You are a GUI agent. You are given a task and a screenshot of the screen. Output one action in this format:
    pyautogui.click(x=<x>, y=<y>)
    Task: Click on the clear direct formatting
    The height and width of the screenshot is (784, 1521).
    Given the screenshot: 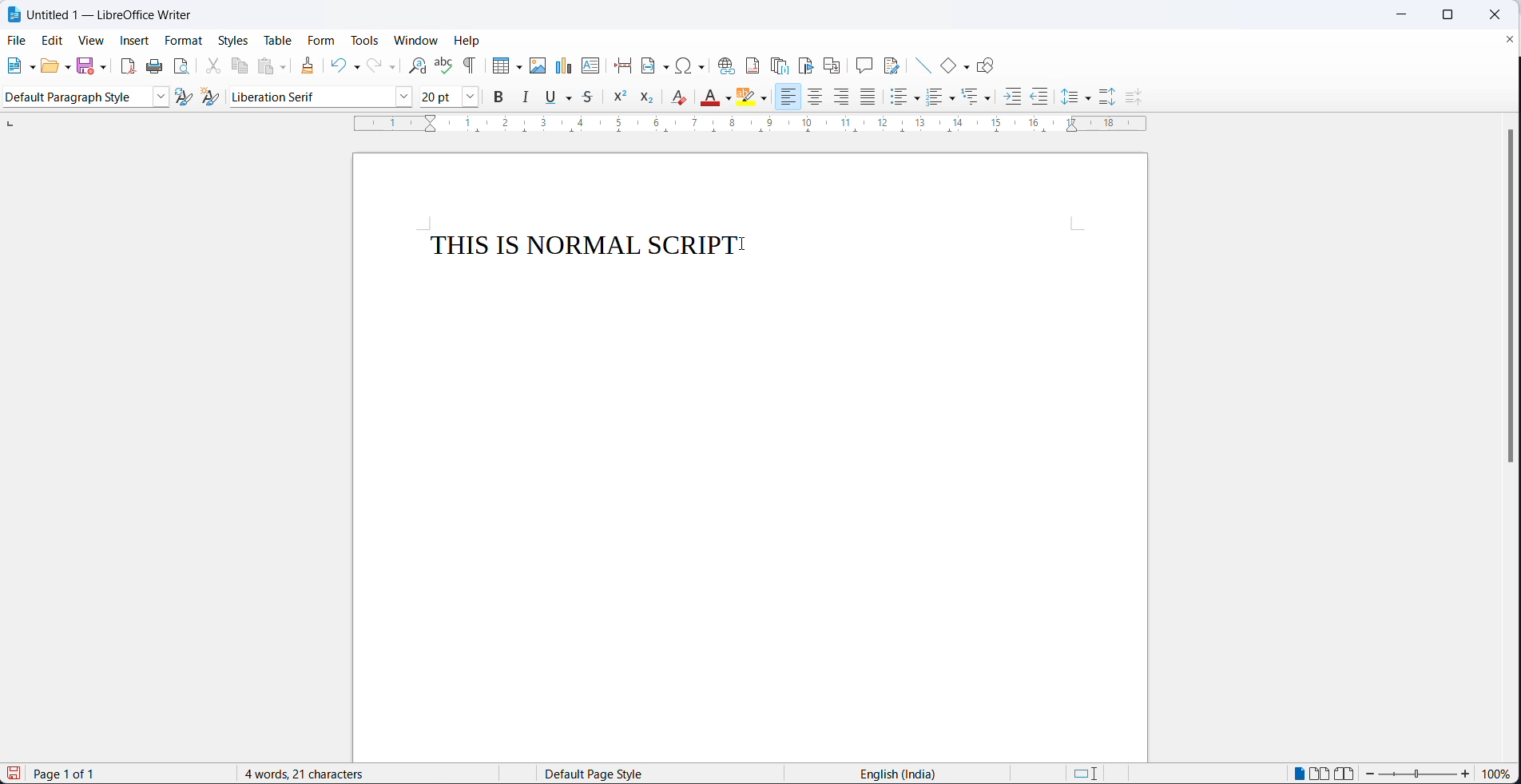 What is the action you would take?
    pyautogui.click(x=709, y=98)
    